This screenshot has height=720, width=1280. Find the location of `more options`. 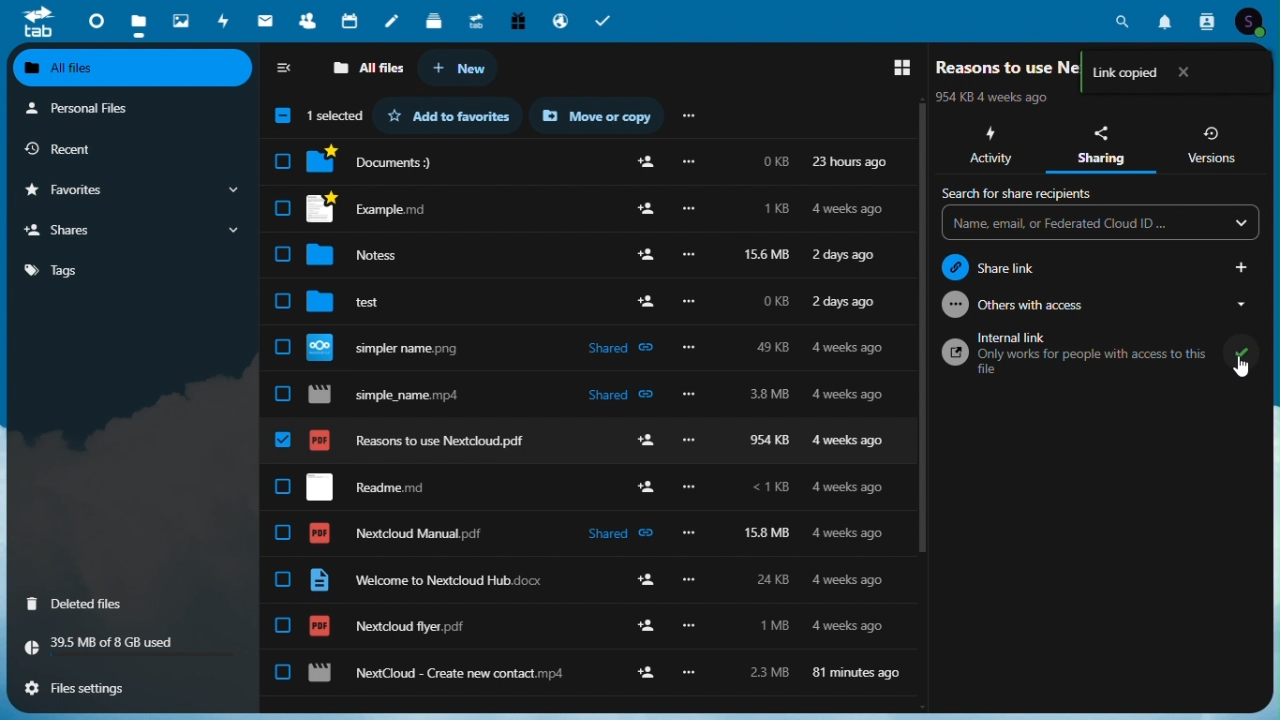

more options is located at coordinates (689, 580).